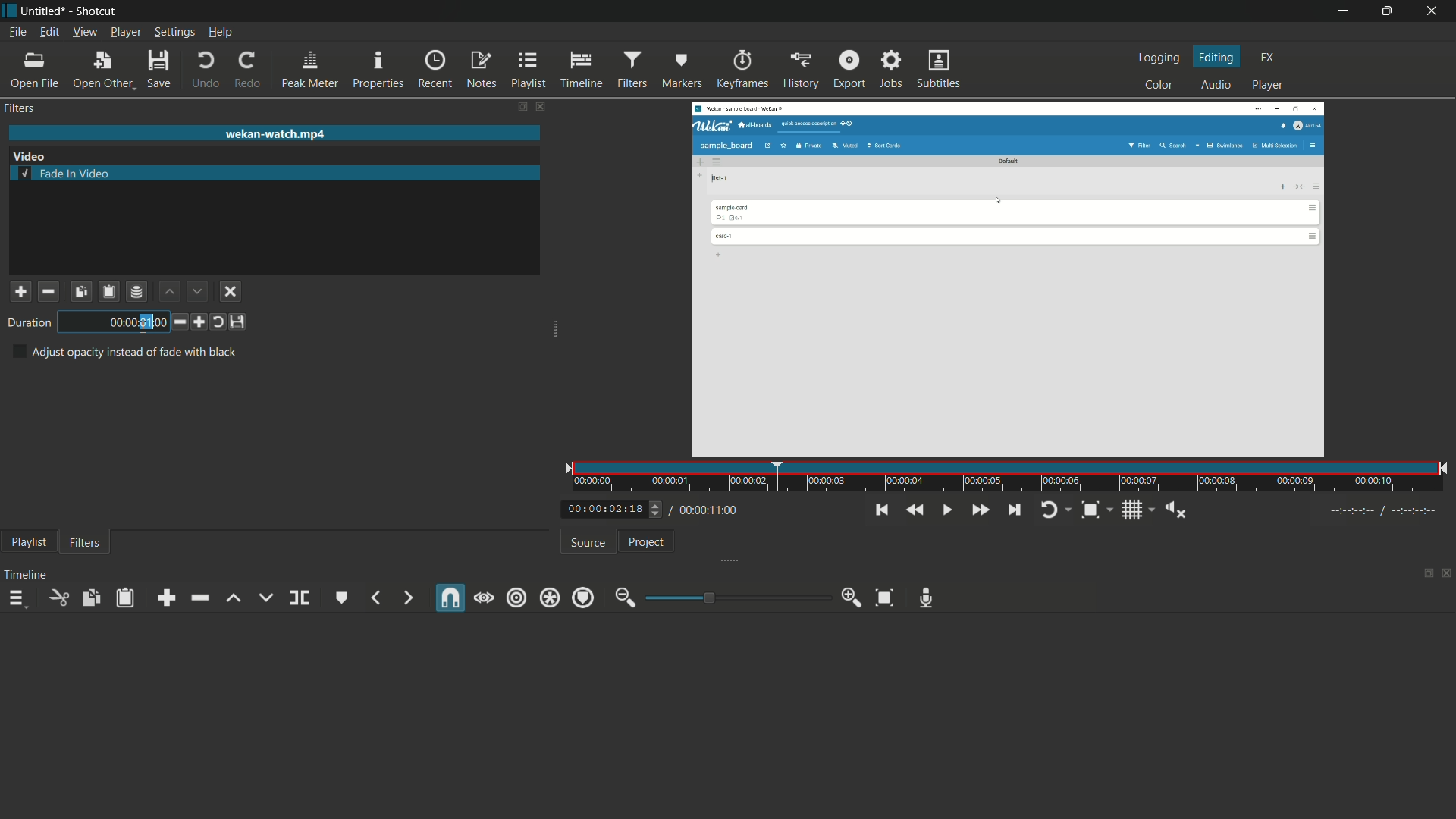  Describe the element at coordinates (27, 323) in the screenshot. I see `duration` at that location.